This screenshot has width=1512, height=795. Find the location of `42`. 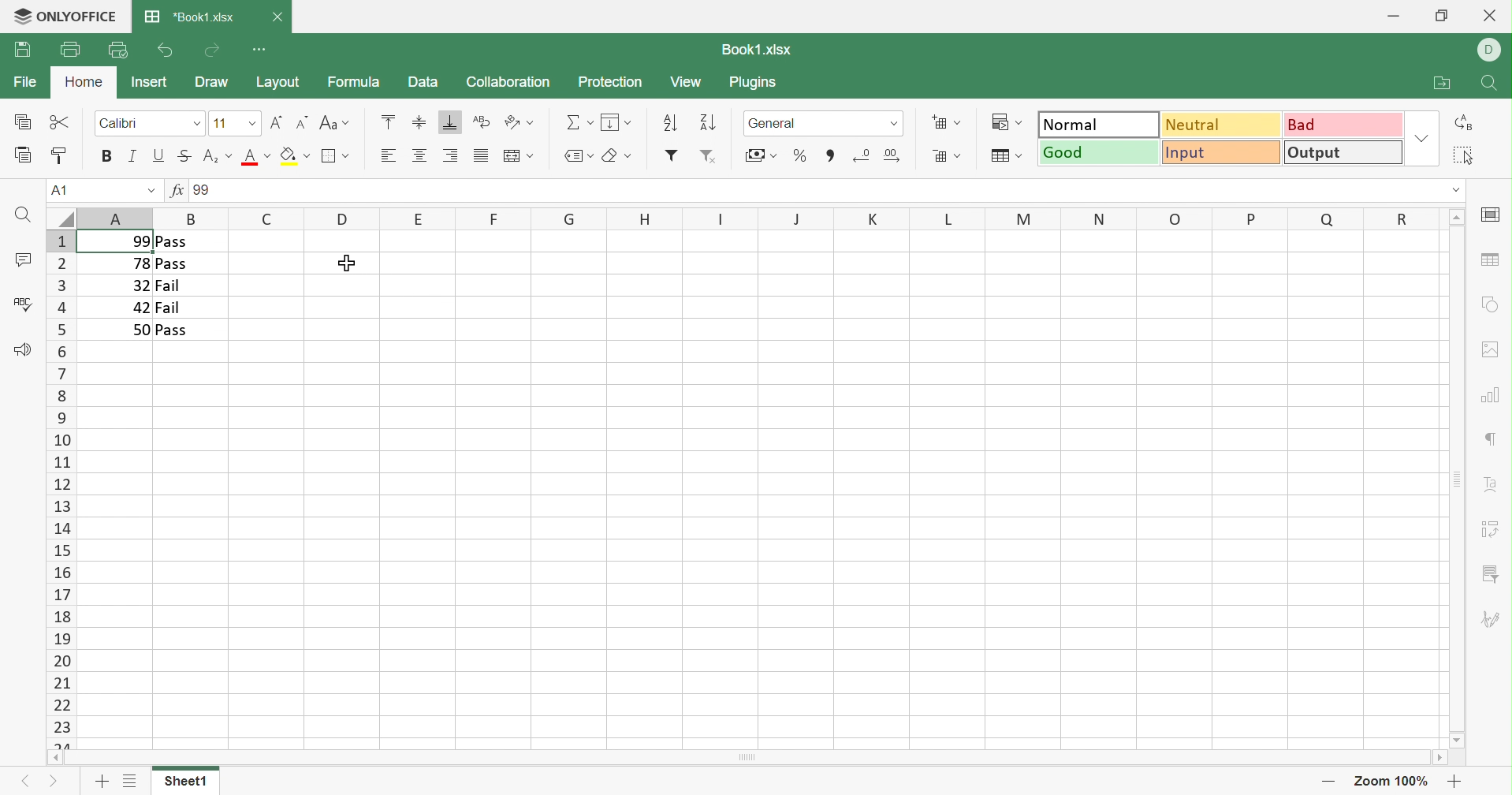

42 is located at coordinates (141, 308).